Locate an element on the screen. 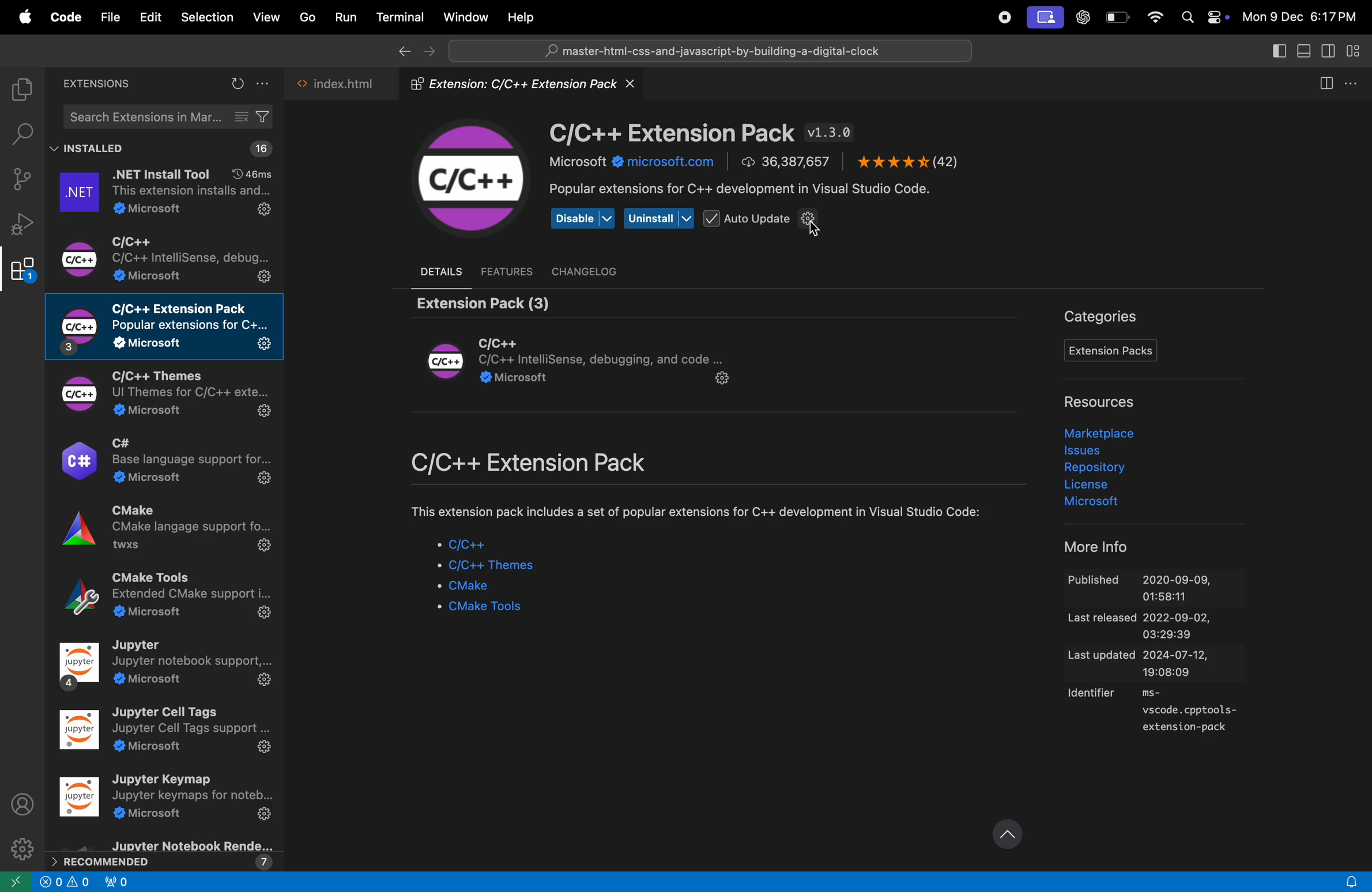  options is located at coordinates (267, 85).